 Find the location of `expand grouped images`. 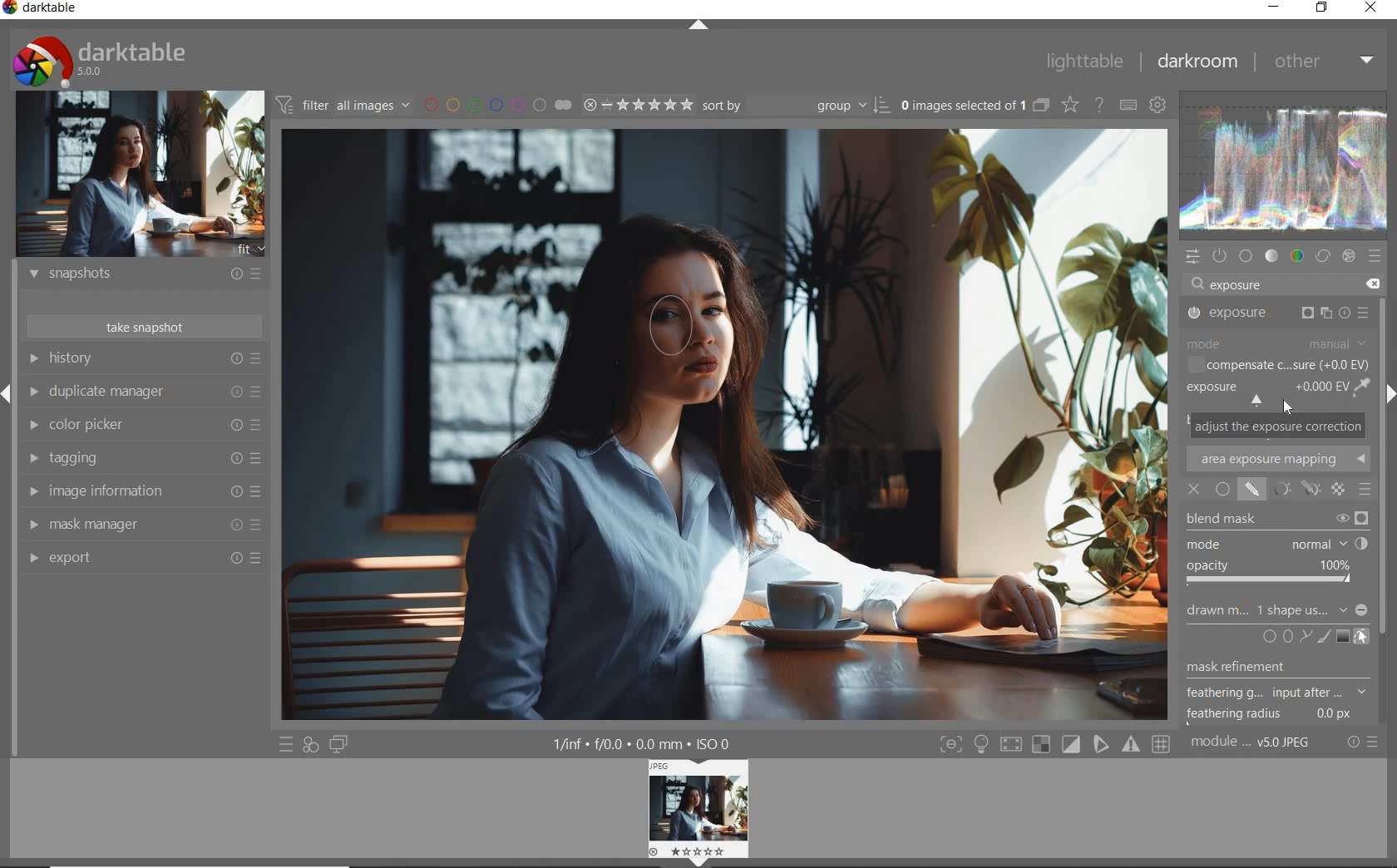

expand grouped images is located at coordinates (976, 107).